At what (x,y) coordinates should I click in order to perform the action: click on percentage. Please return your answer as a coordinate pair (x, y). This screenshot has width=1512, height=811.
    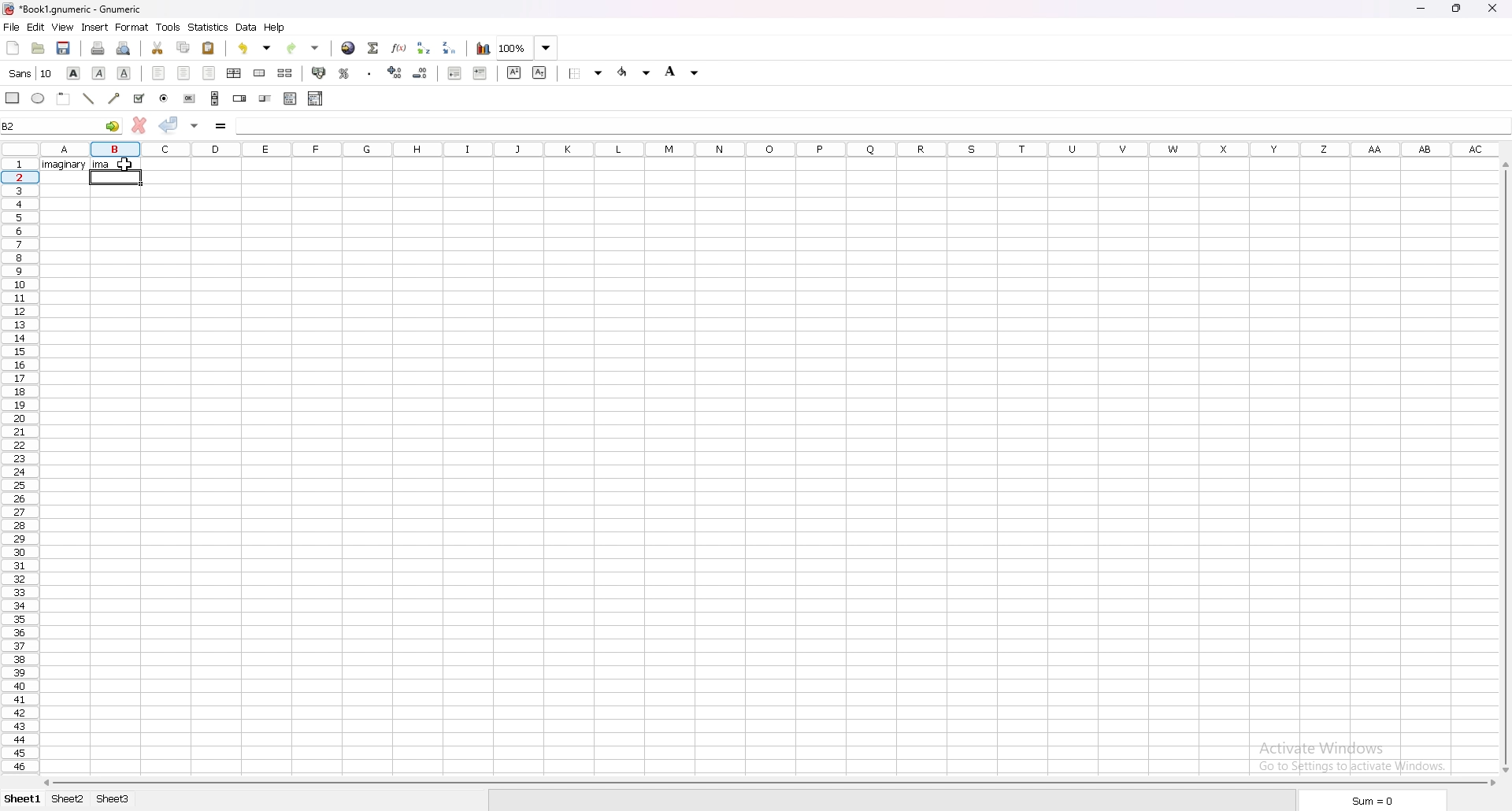
    Looking at the image, I should click on (344, 73).